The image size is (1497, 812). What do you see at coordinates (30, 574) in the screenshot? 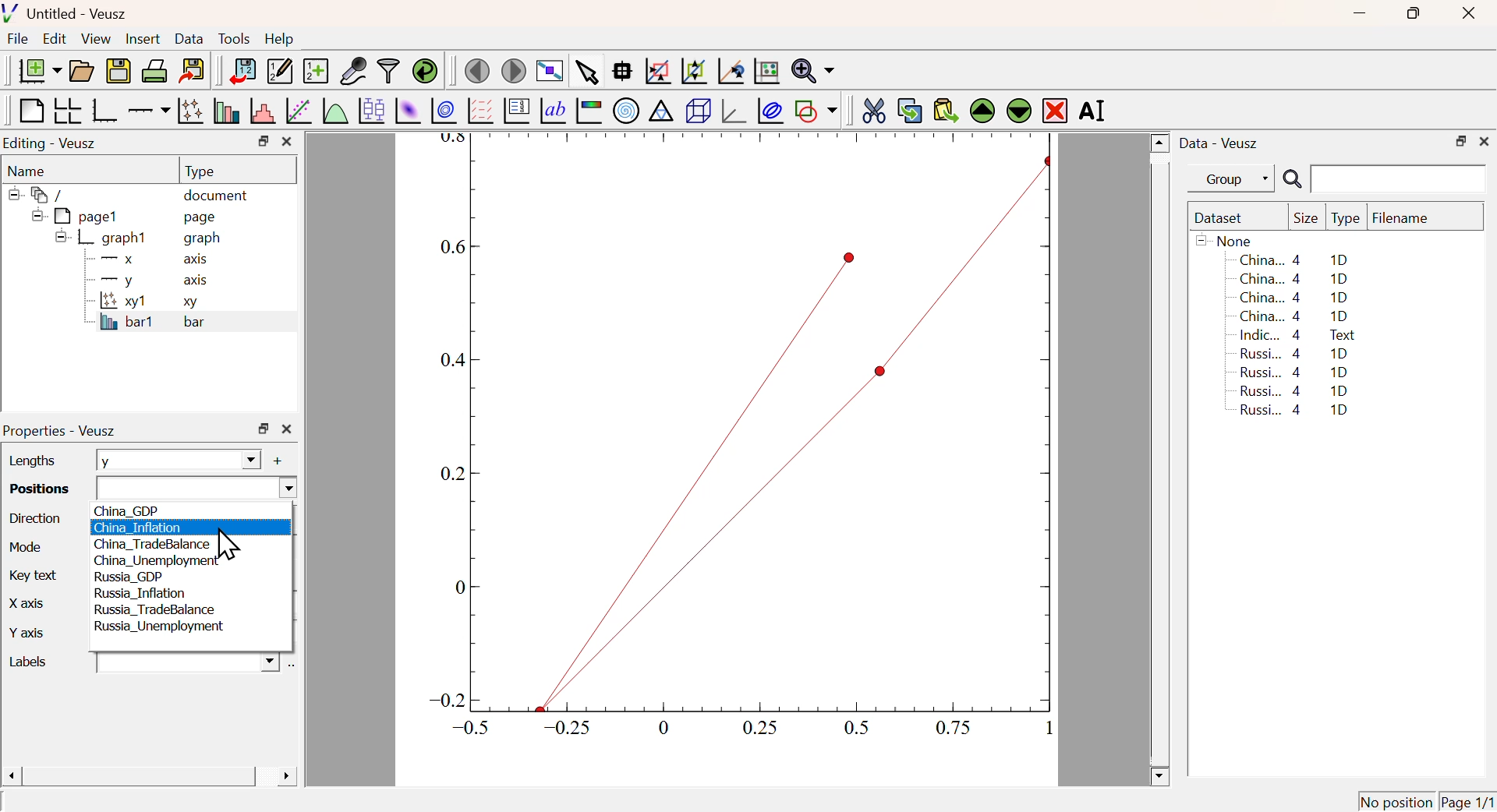
I see `Key Text` at bounding box center [30, 574].